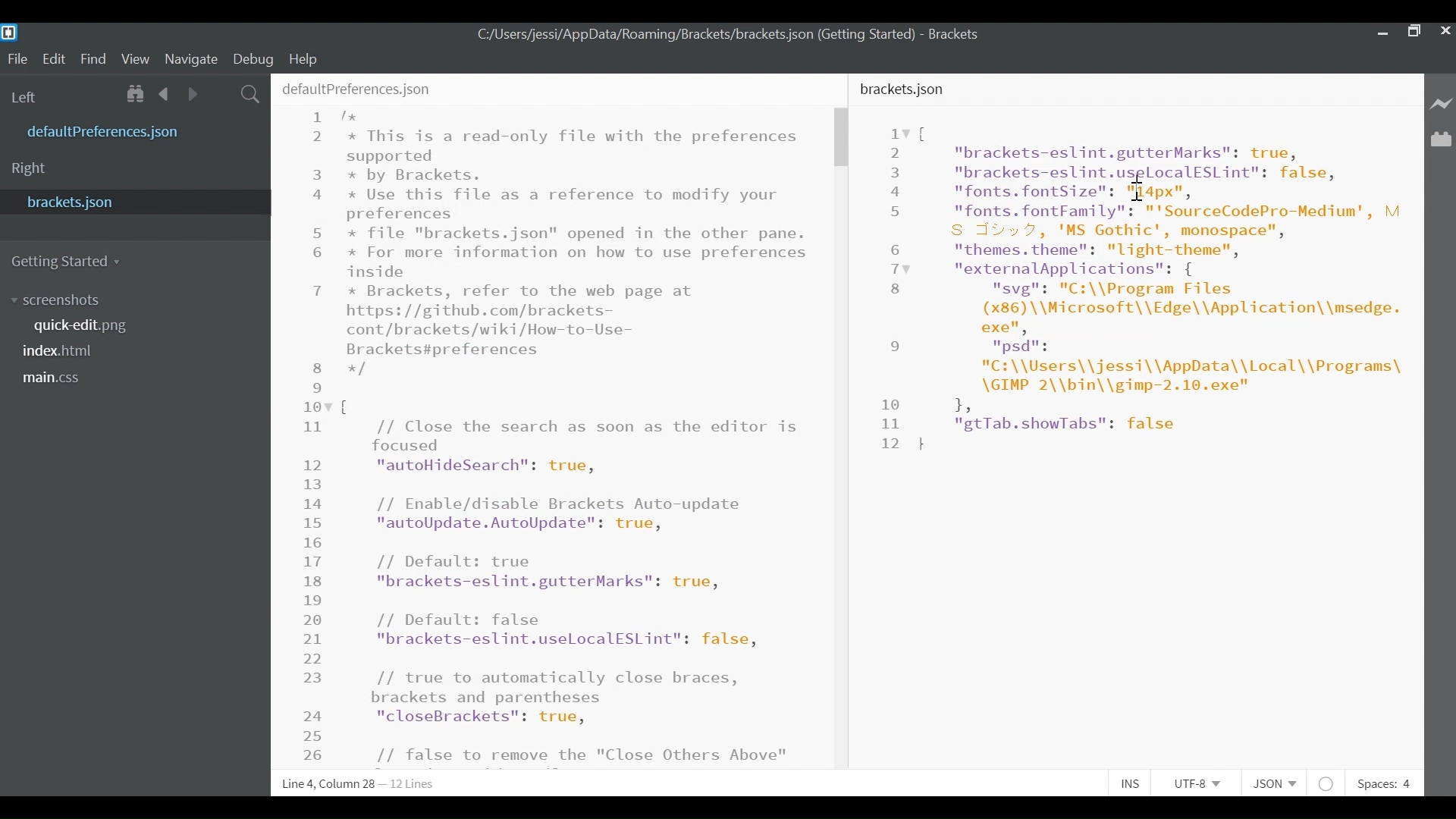 Image resolution: width=1456 pixels, height=819 pixels. I want to click on minimize, so click(1381, 32).